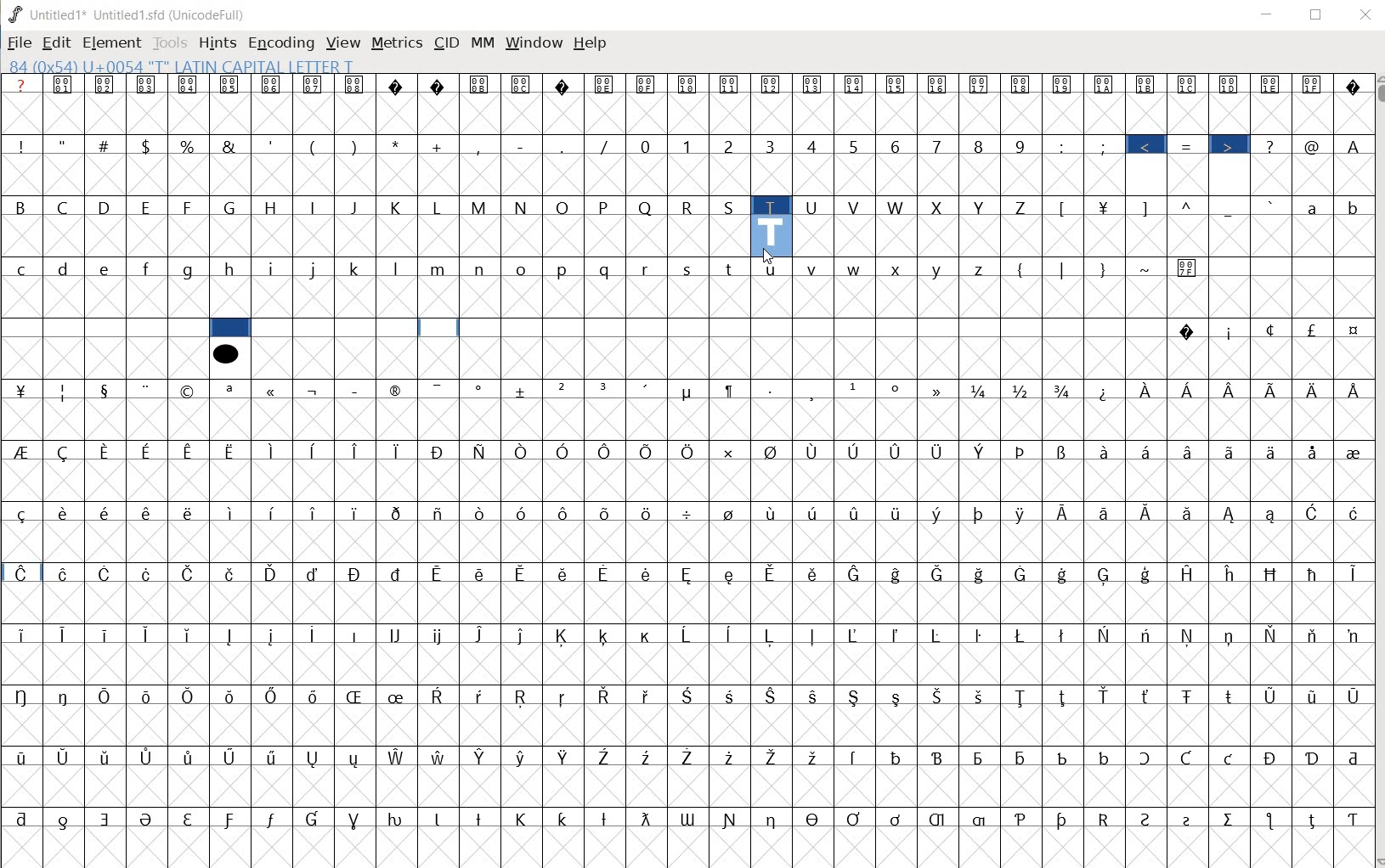  Describe the element at coordinates (270, 819) in the screenshot. I see `Symbol` at that location.